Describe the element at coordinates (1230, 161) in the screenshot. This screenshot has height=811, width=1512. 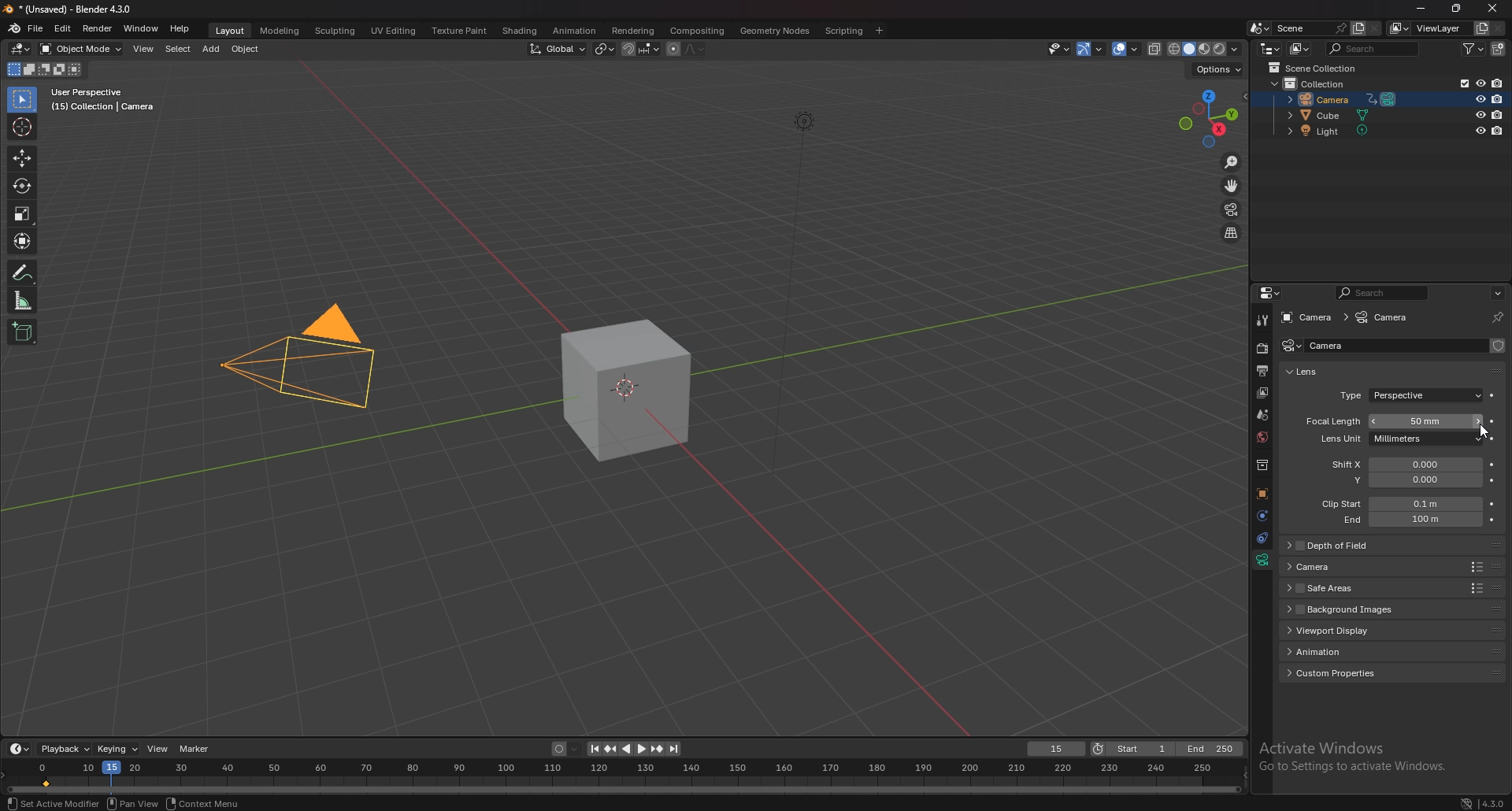
I see `zoom` at that location.